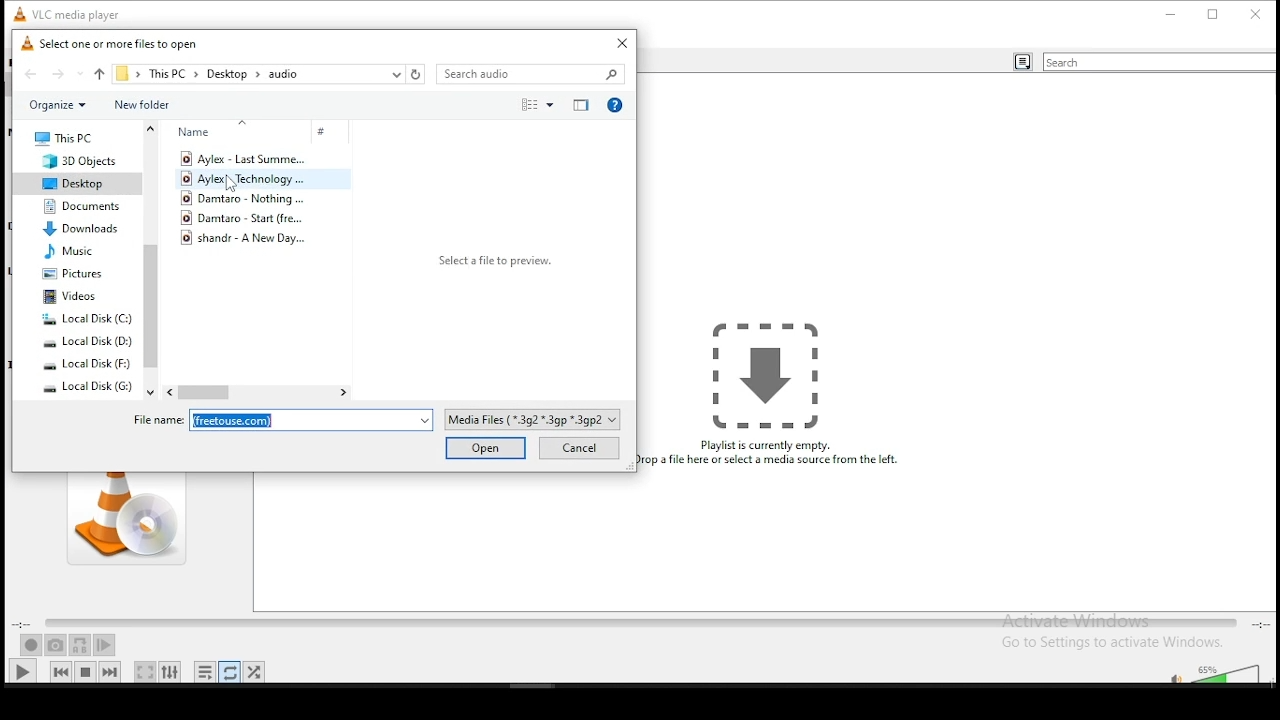 The height and width of the screenshot is (720, 1280). I want to click on close window, so click(1257, 13).